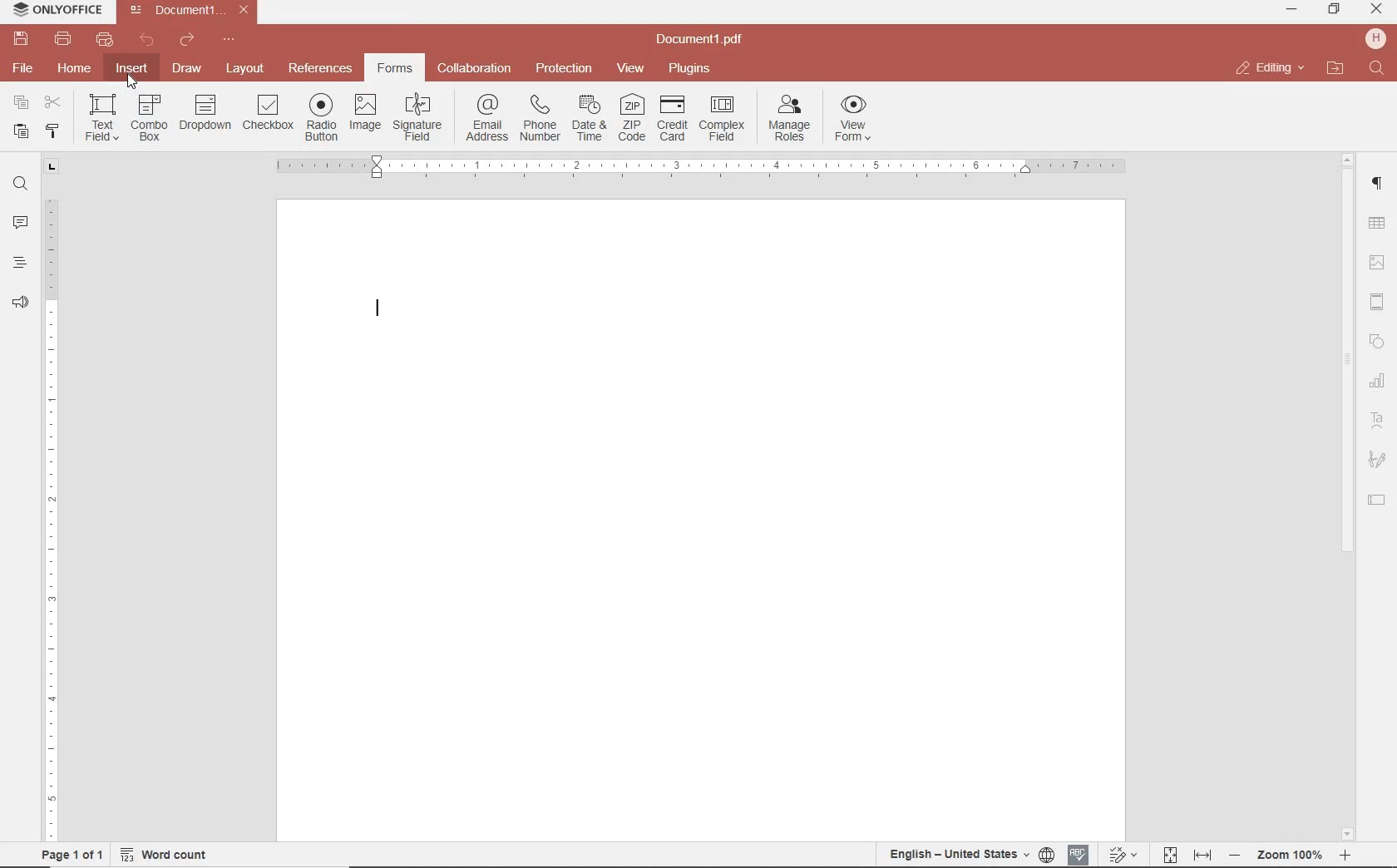  Describe the element at coordinates (1378, 422) in the screenshot. I see `TEXT ART` at that location.